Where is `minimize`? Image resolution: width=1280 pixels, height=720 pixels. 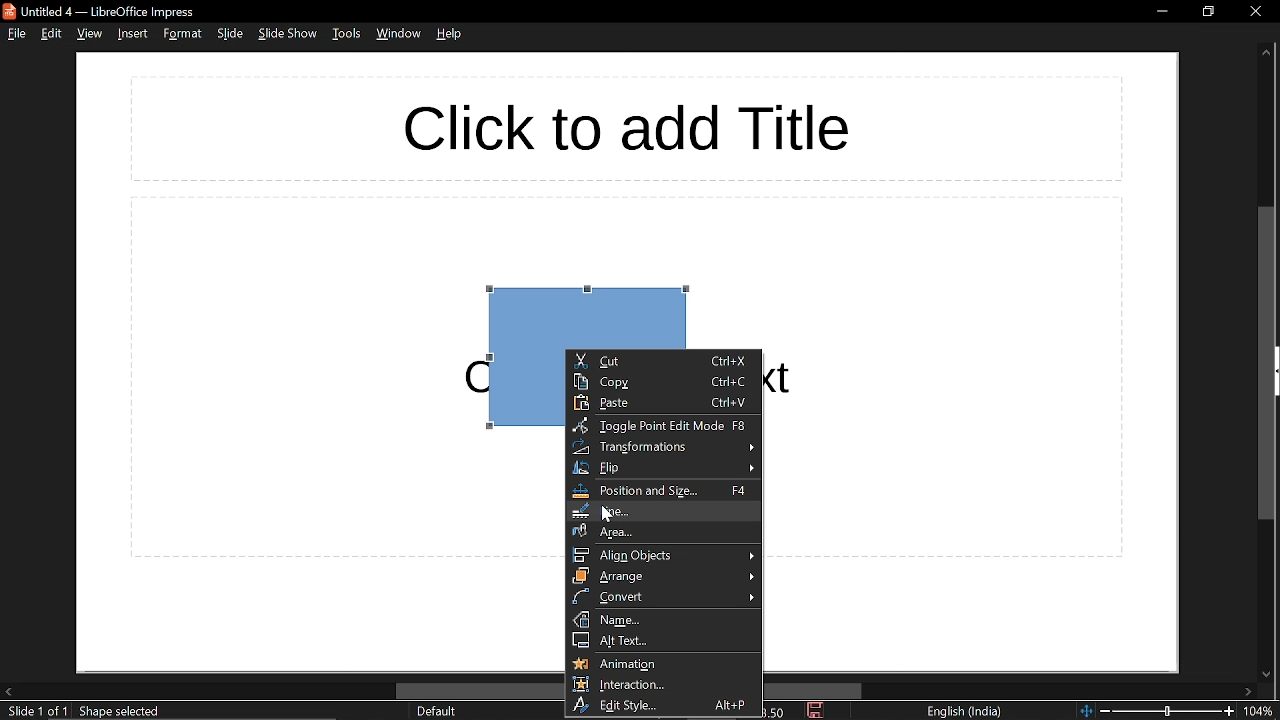 minimize is located at coordinates (1158, 10).